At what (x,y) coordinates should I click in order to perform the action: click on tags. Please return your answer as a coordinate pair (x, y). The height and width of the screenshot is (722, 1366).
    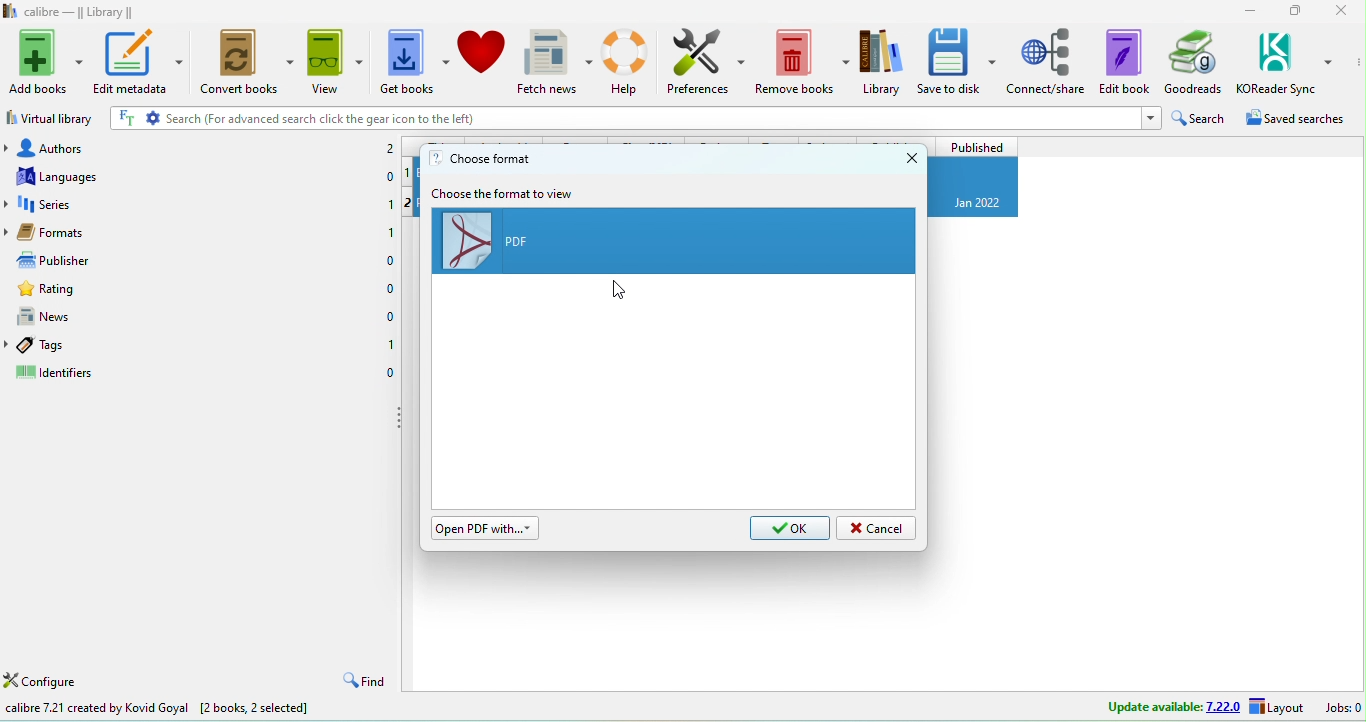
    Looking at the image, I should click on (66, 345).